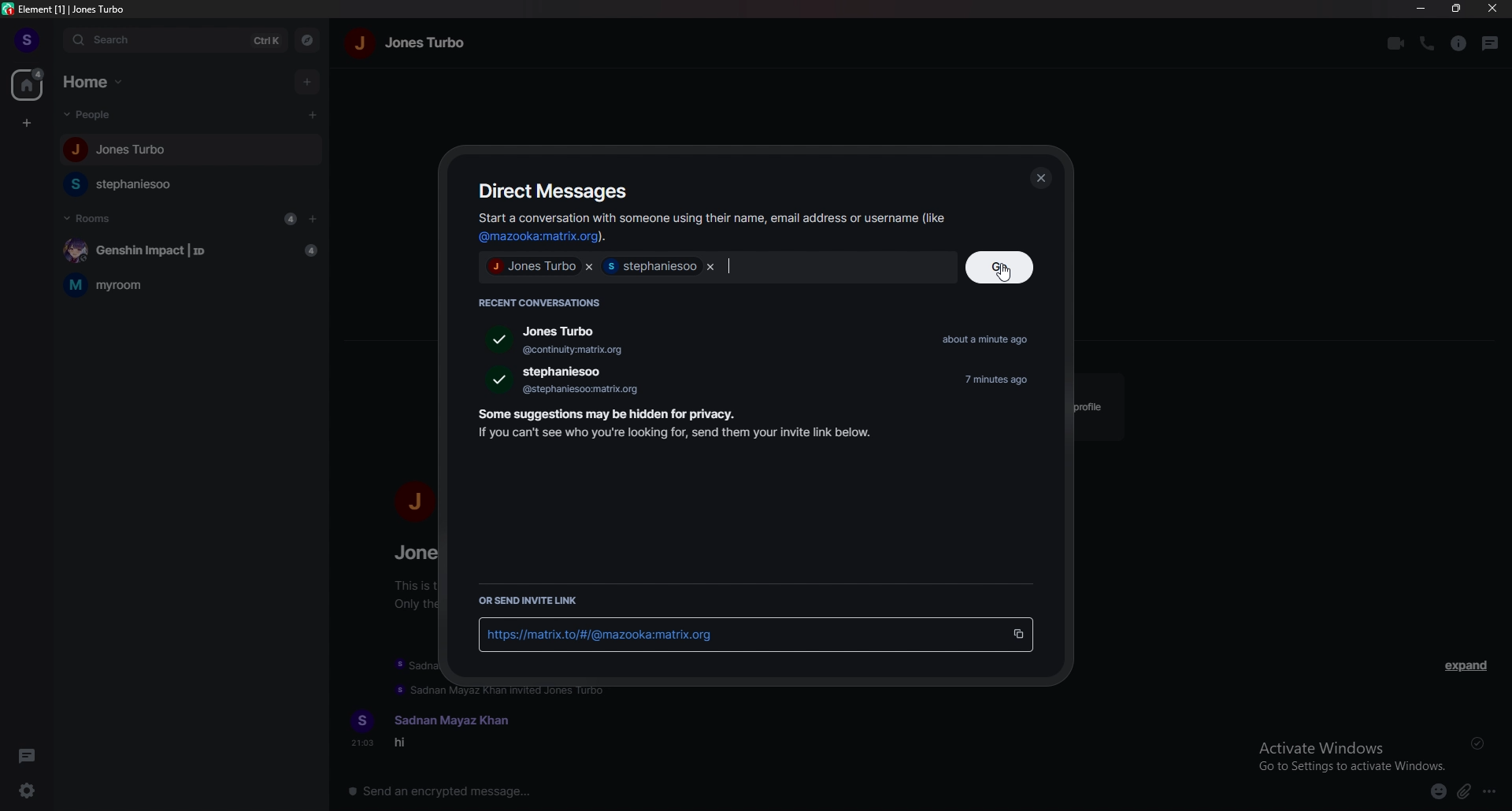  I want to click on 21:03, so click(357, 746).